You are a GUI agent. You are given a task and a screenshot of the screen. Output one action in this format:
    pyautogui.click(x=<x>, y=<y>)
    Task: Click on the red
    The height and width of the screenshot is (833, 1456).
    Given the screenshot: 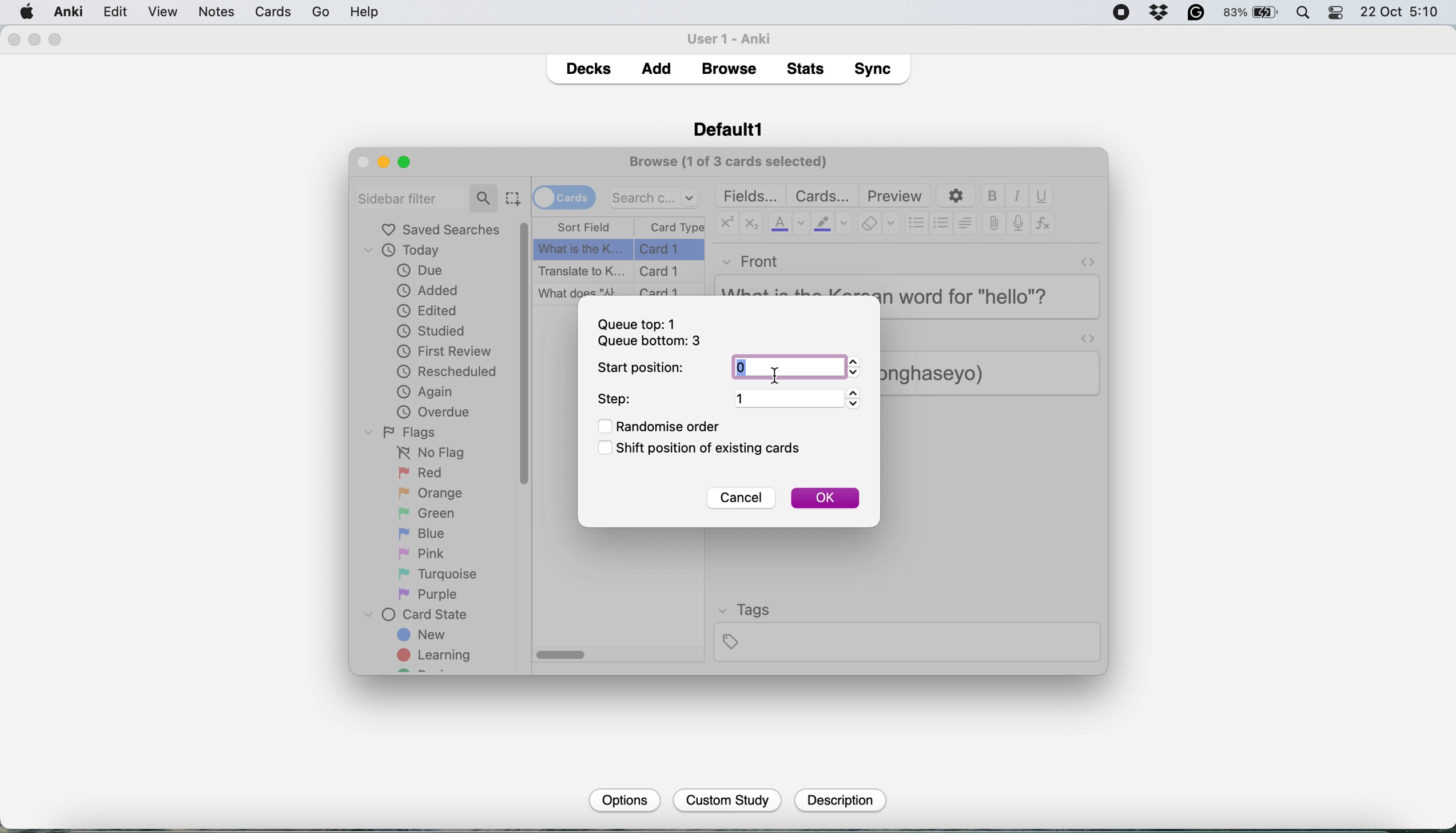 What is the action you would take?
    pyautogui.click(x=423, y=474)
    